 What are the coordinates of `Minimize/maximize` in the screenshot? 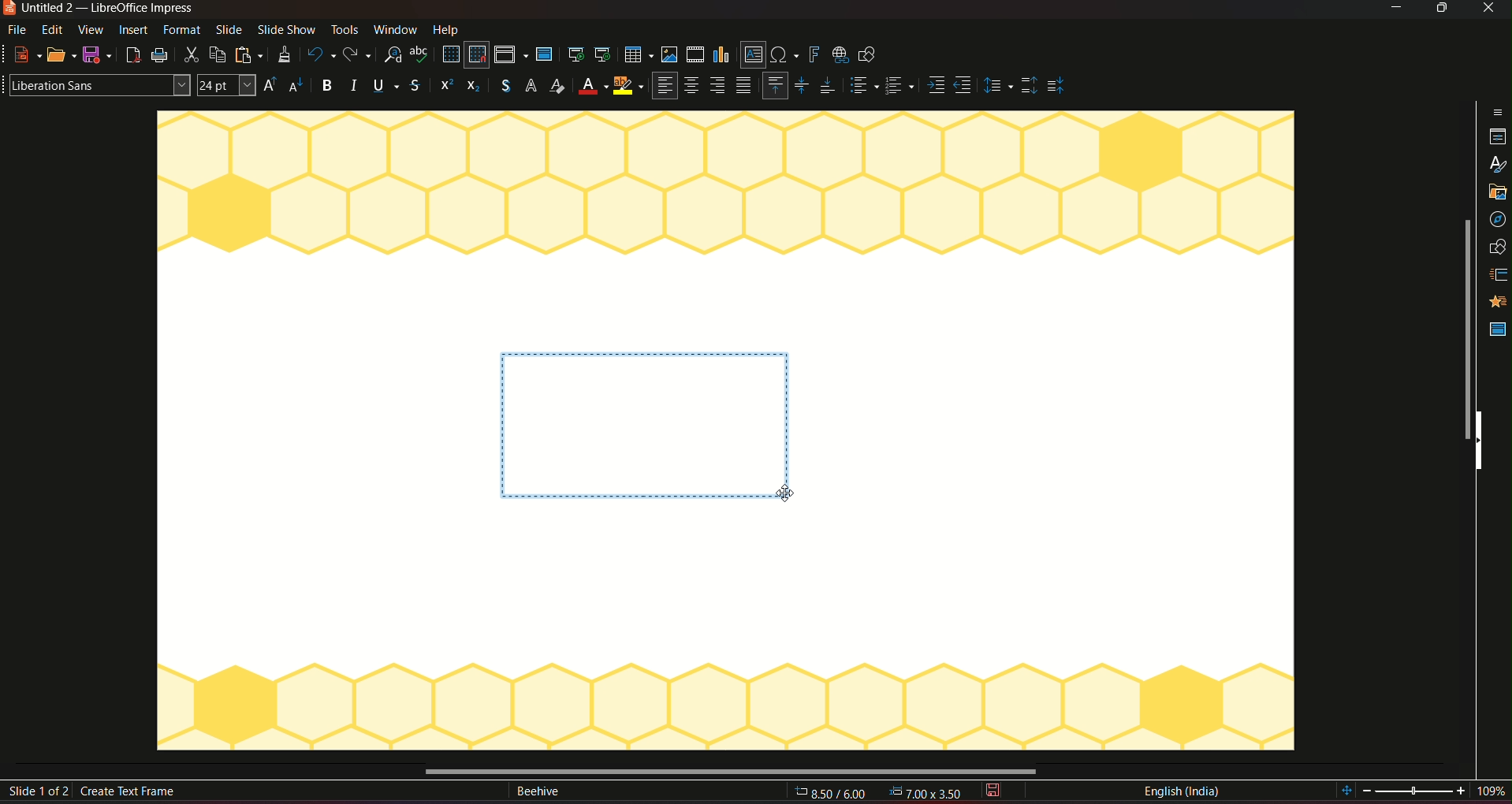 It's located at (1440, 9).